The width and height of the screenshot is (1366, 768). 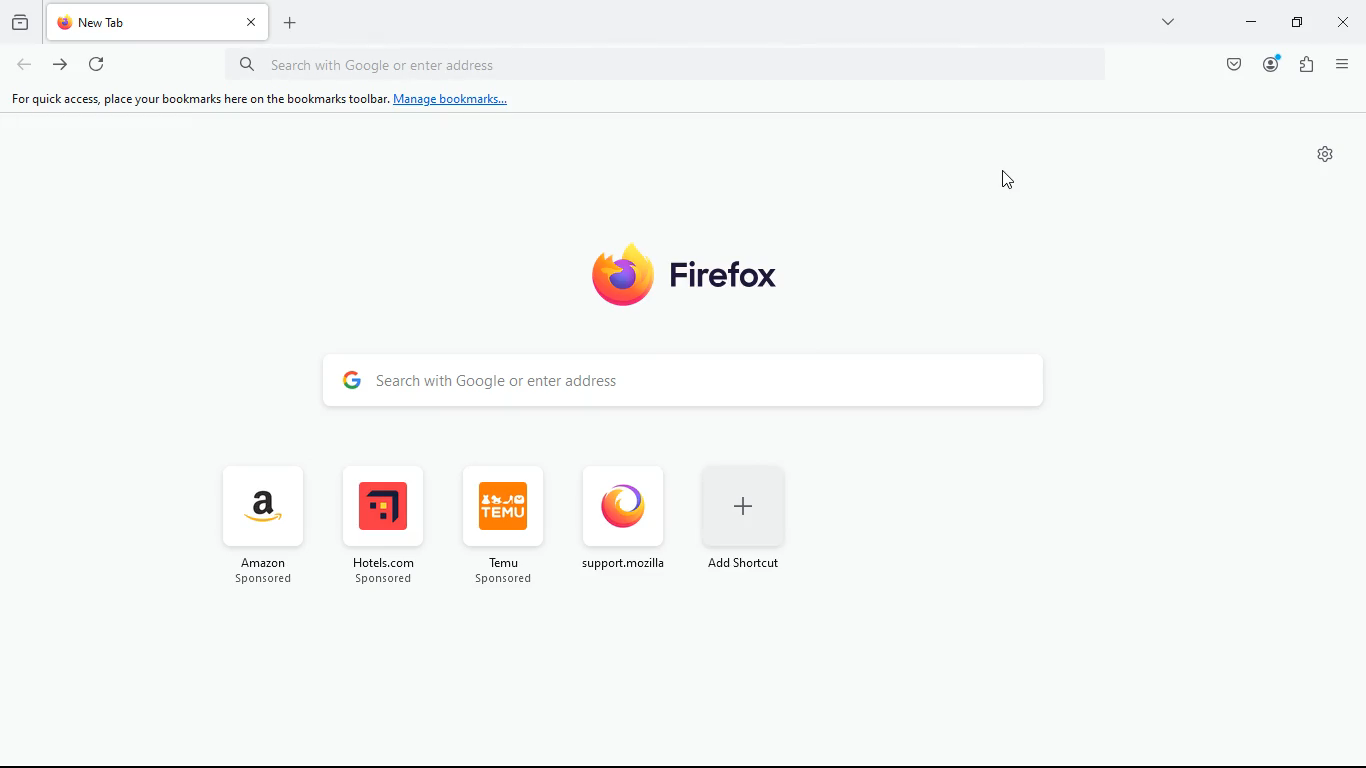 I want to click on maximize, so click(x=1295, y=24).